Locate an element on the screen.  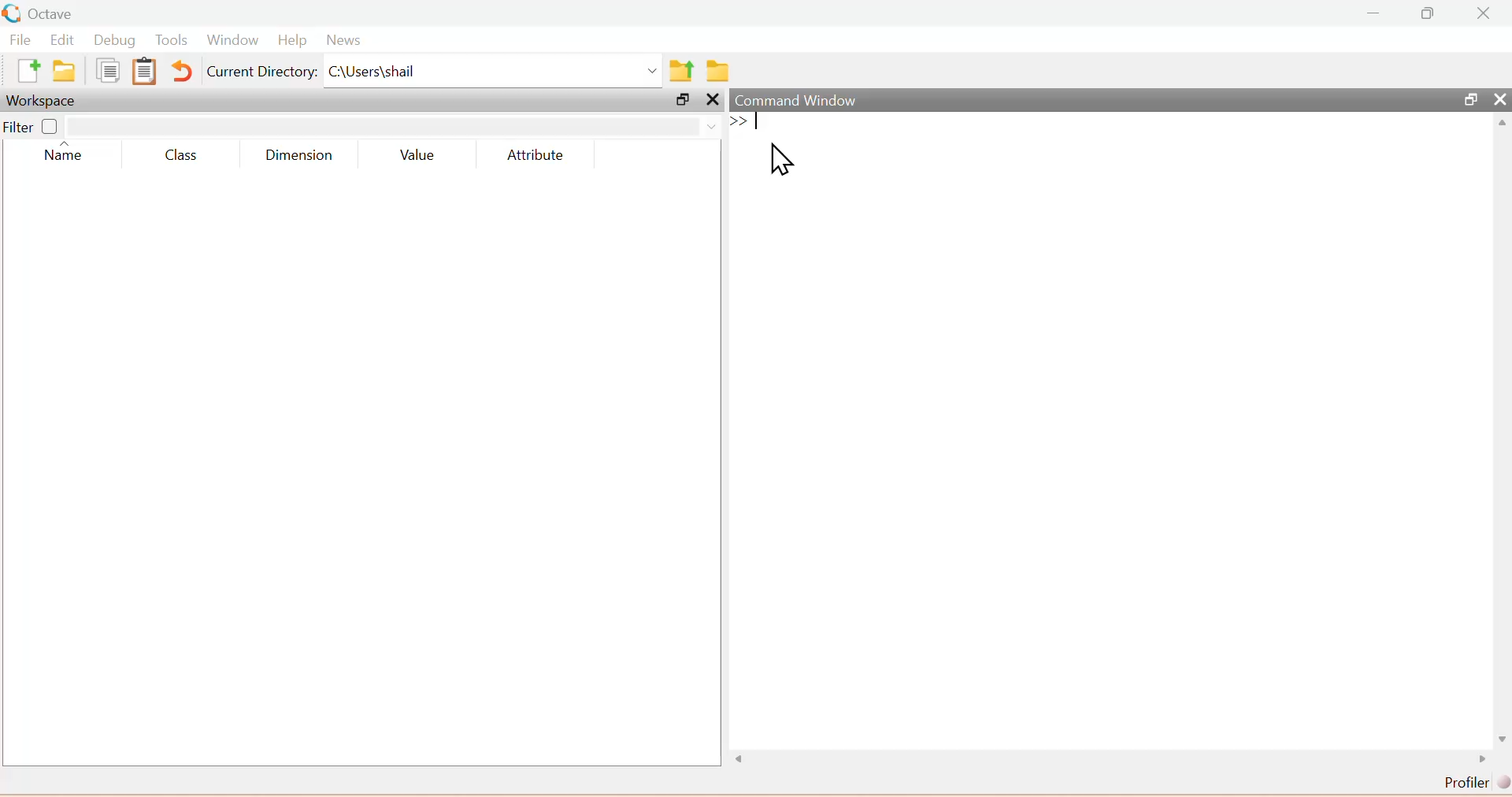
Dimension is located at coordinates (305, 155).